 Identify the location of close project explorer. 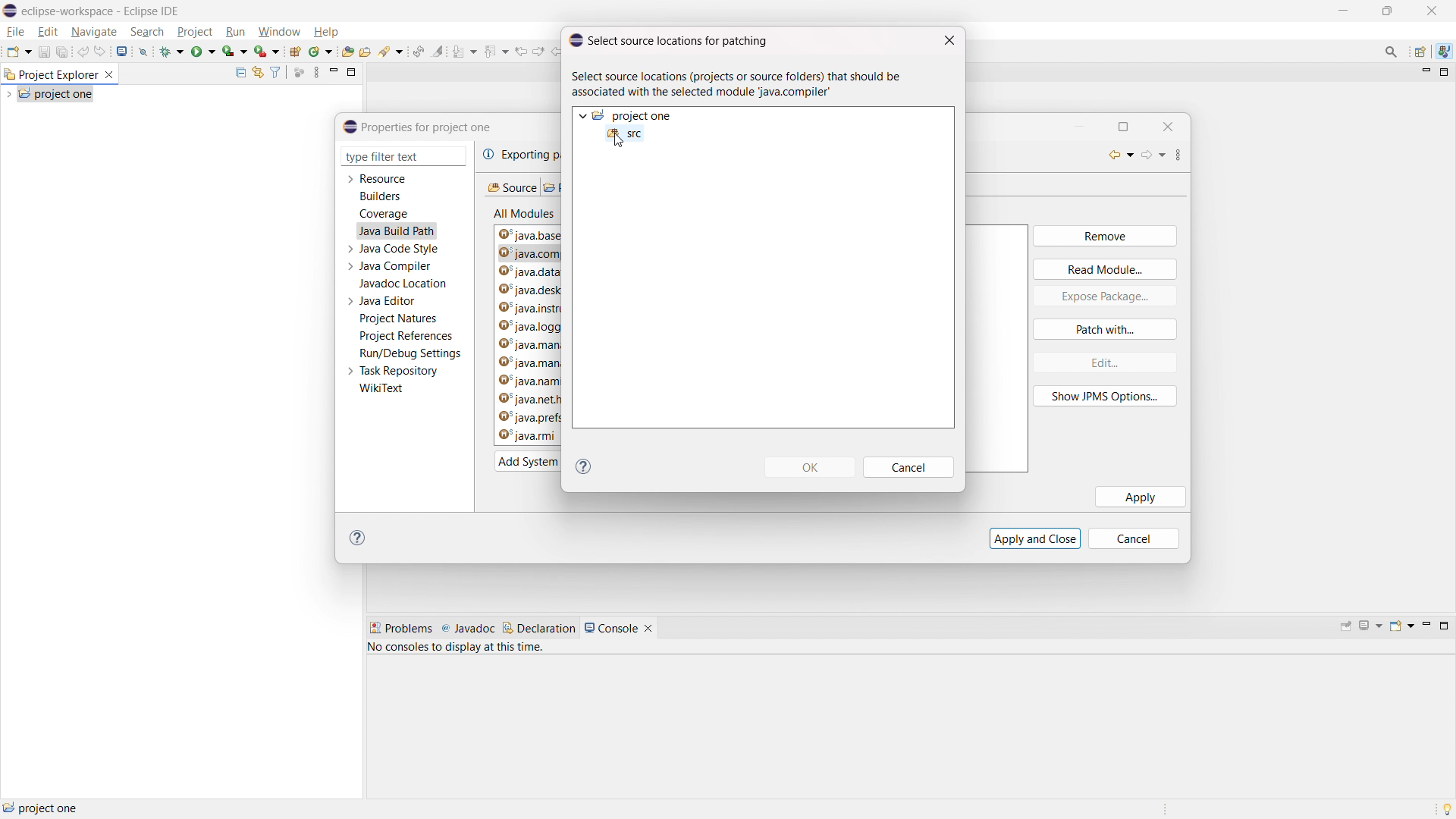
(109, 75).